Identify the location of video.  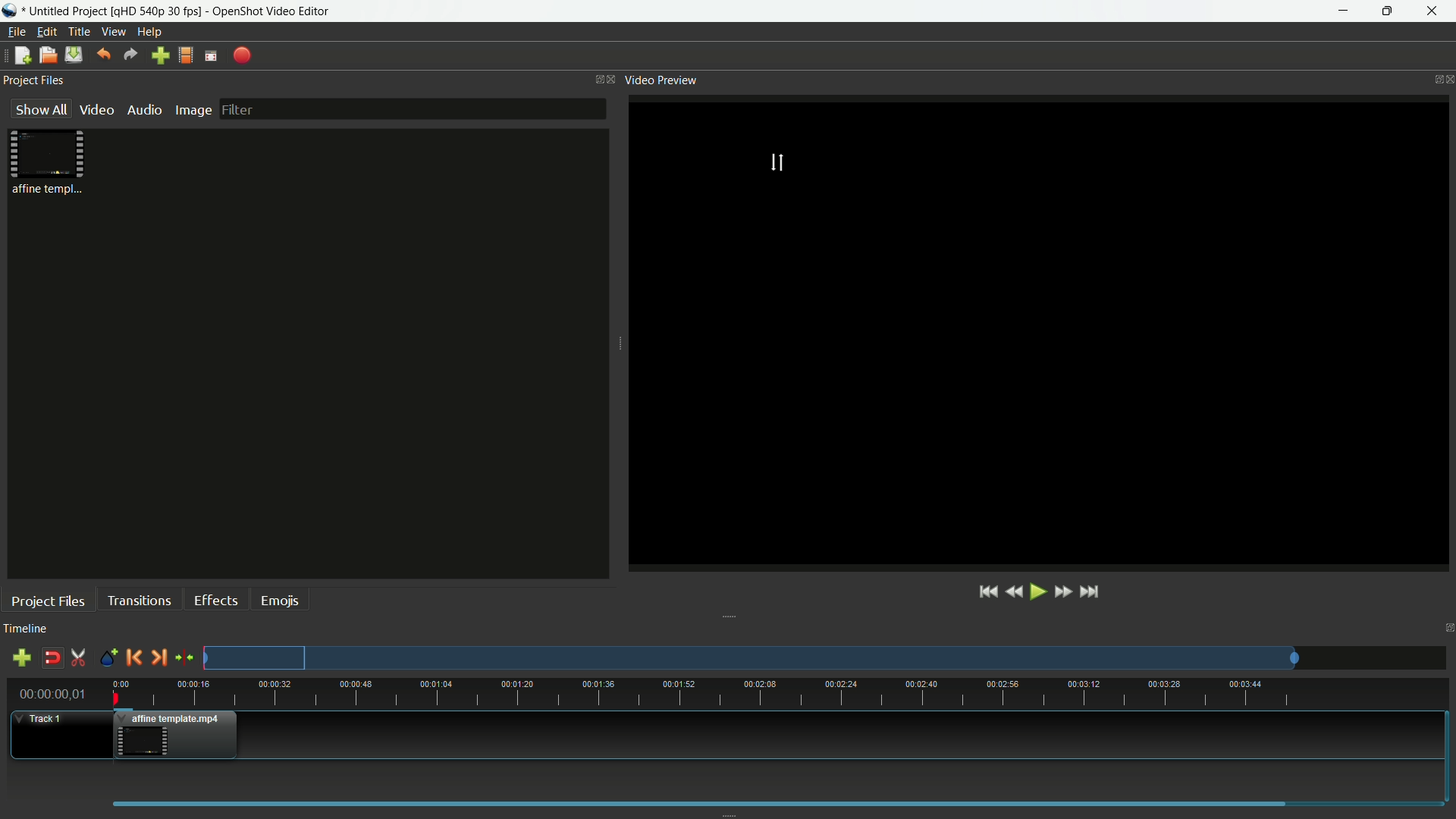
(97, 109).